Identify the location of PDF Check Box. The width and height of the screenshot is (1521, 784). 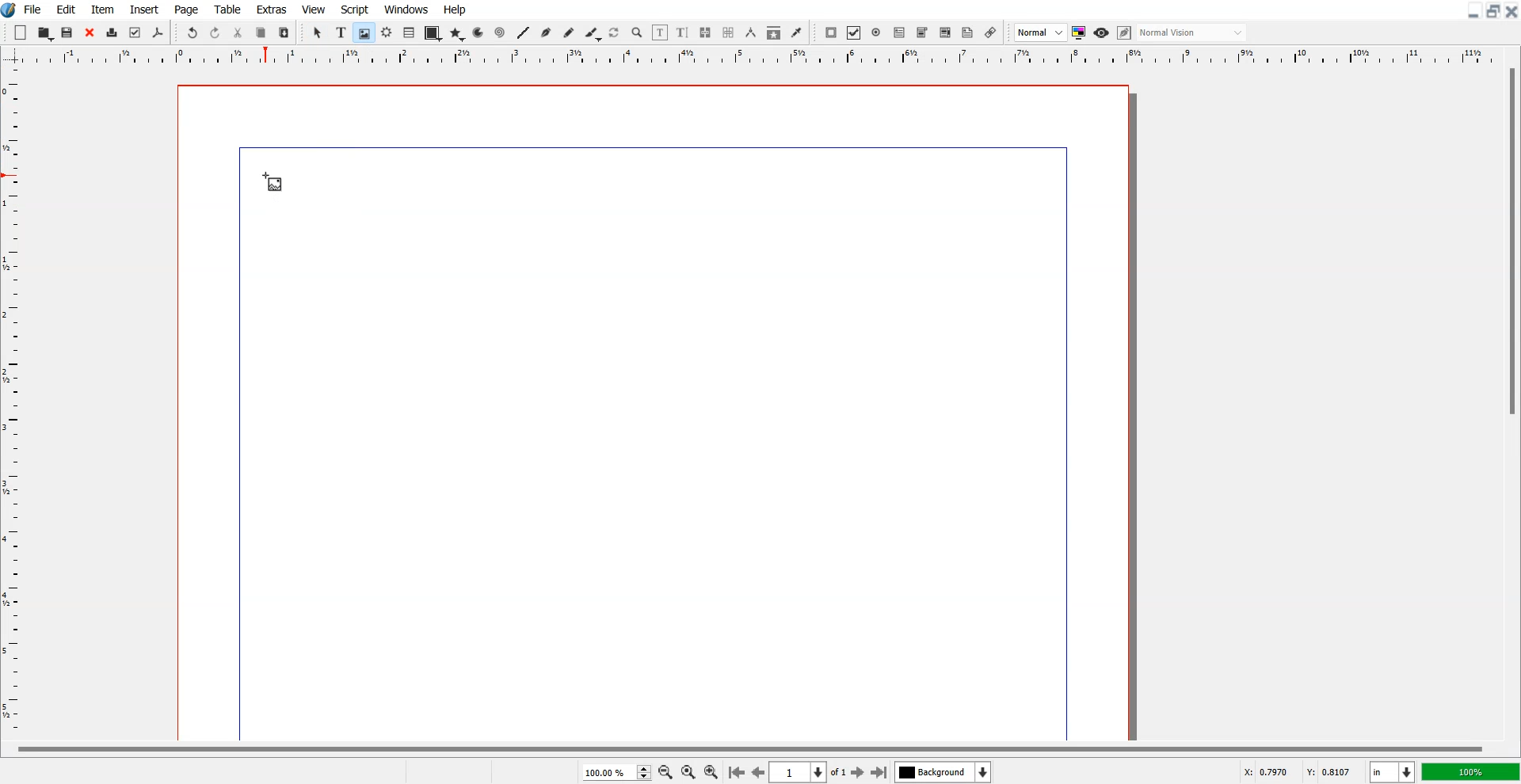
(854, 32).